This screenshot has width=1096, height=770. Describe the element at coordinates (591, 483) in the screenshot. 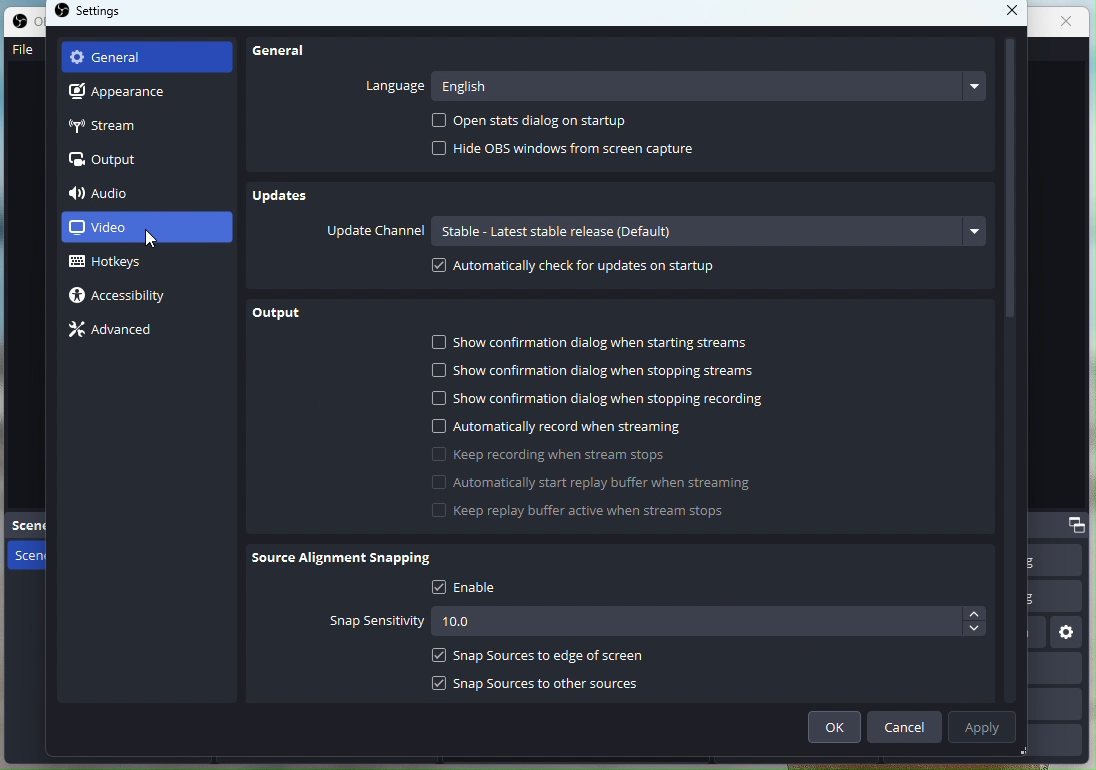

I see `Automatically start replay buffer when streaming` at that location.